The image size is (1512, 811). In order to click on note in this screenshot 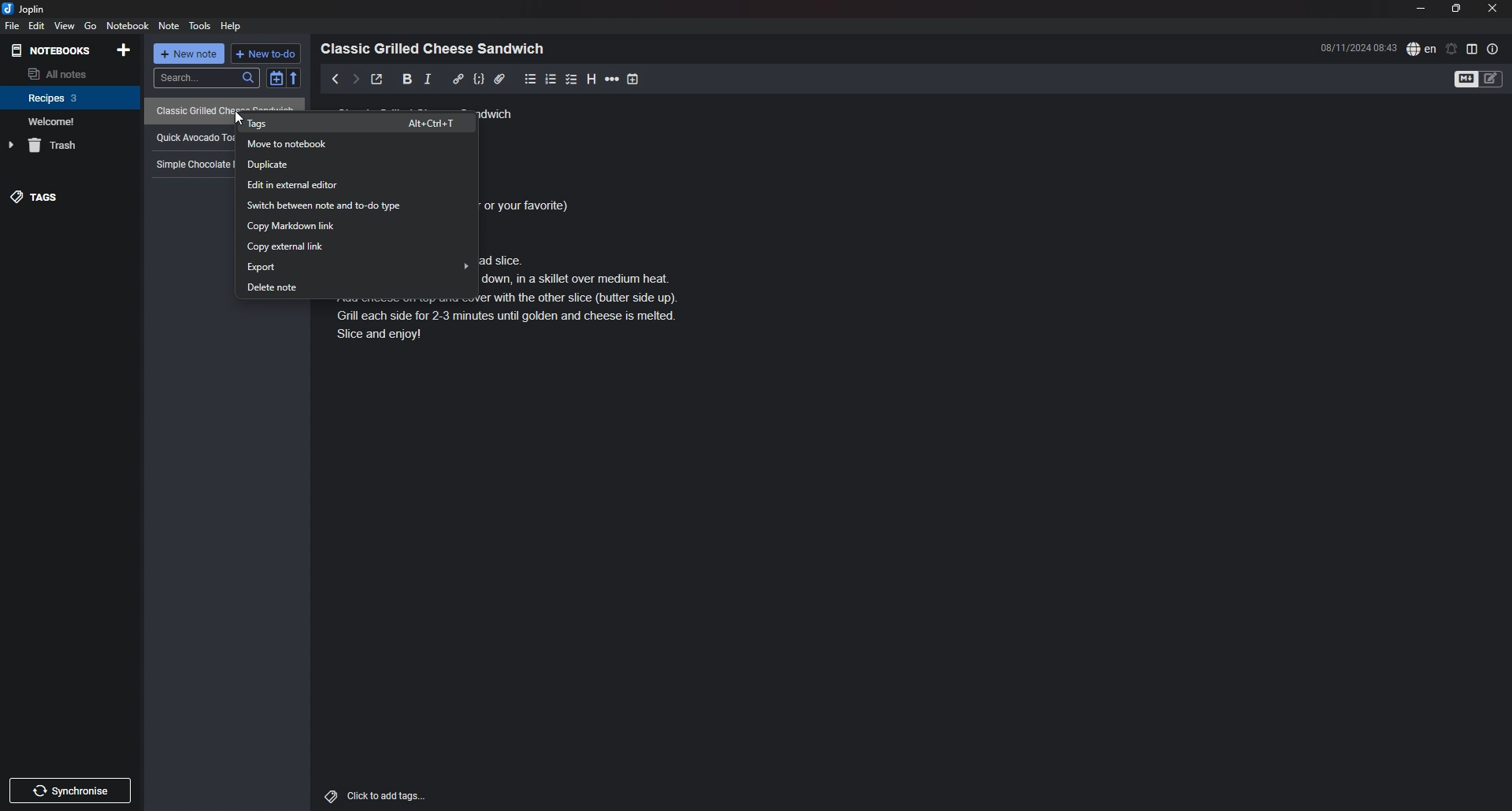, I will do `click(168, 26)`.